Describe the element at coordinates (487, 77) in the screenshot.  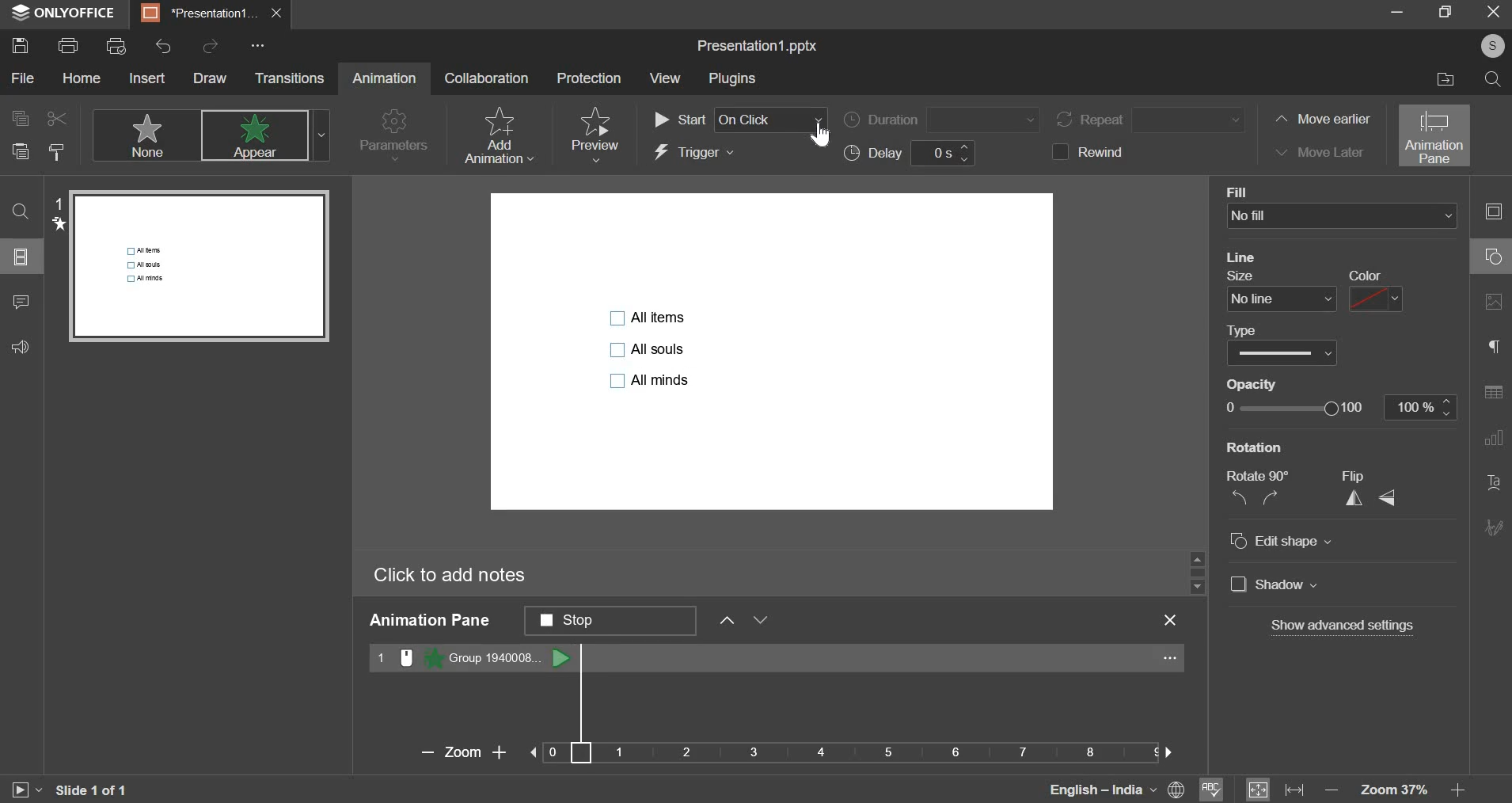
I see `collaboration` at that location.